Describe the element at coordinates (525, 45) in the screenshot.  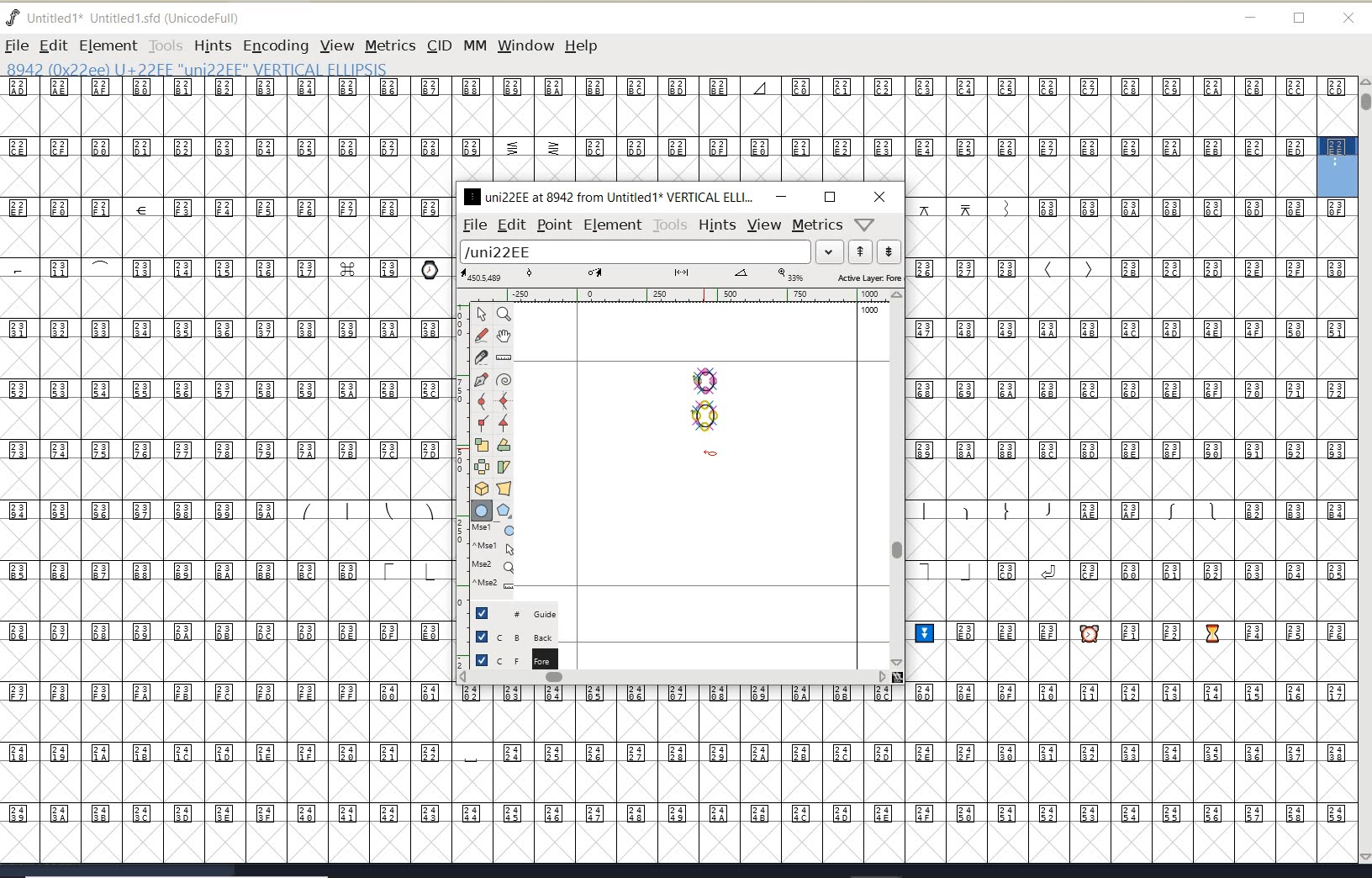
I see `window` at that location.